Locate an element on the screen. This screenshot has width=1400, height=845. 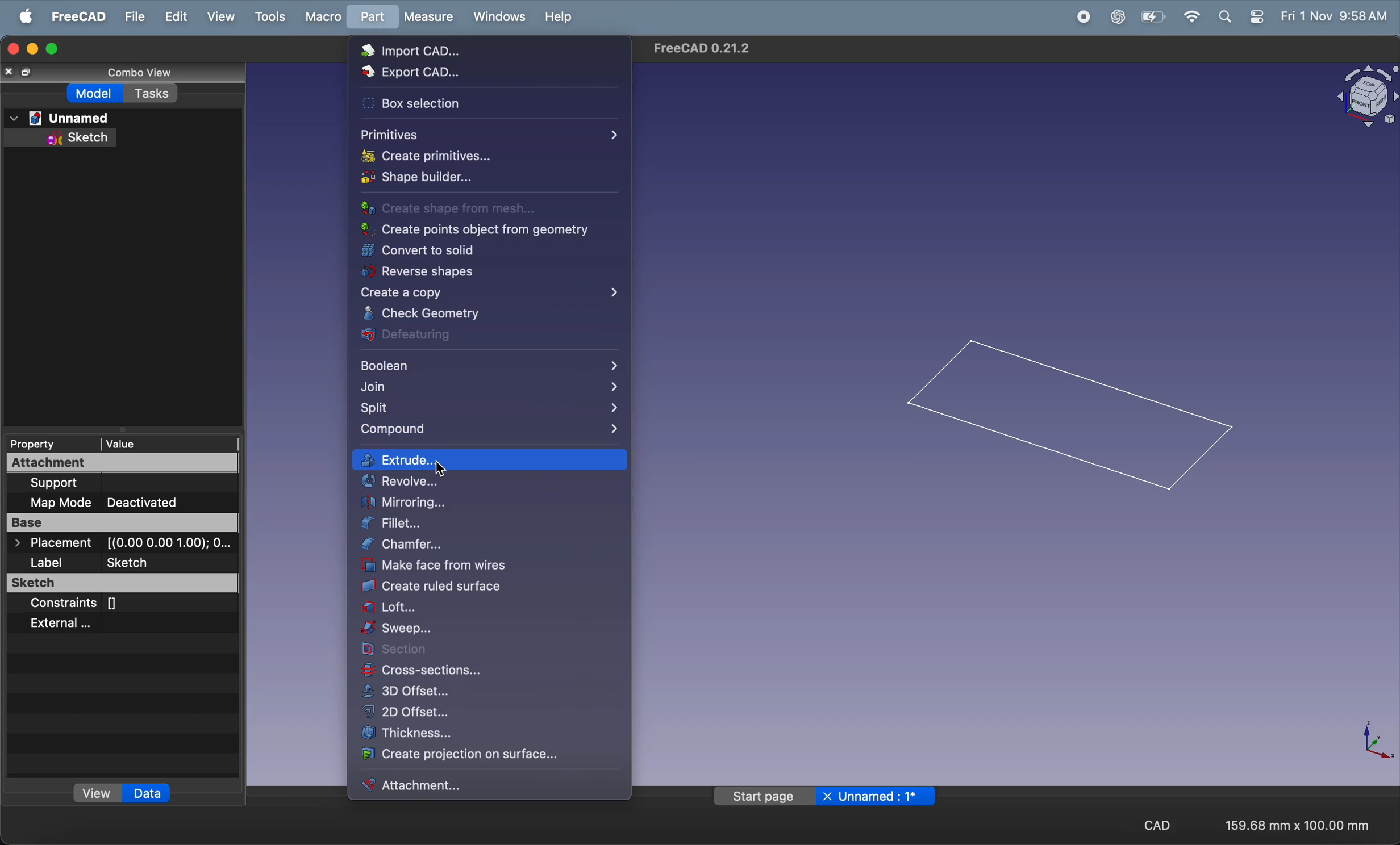
close is located at coordinates (16, 73).